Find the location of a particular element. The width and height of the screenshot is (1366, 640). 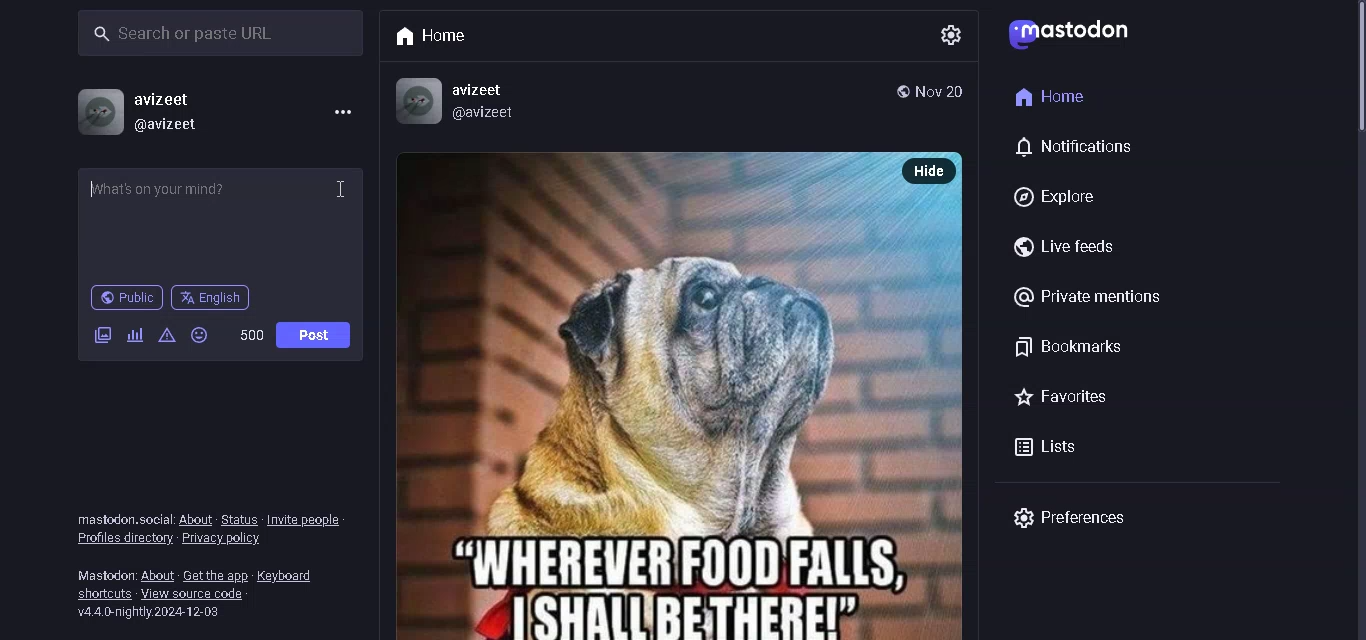

Cursor is located at coordinates (339, 189).